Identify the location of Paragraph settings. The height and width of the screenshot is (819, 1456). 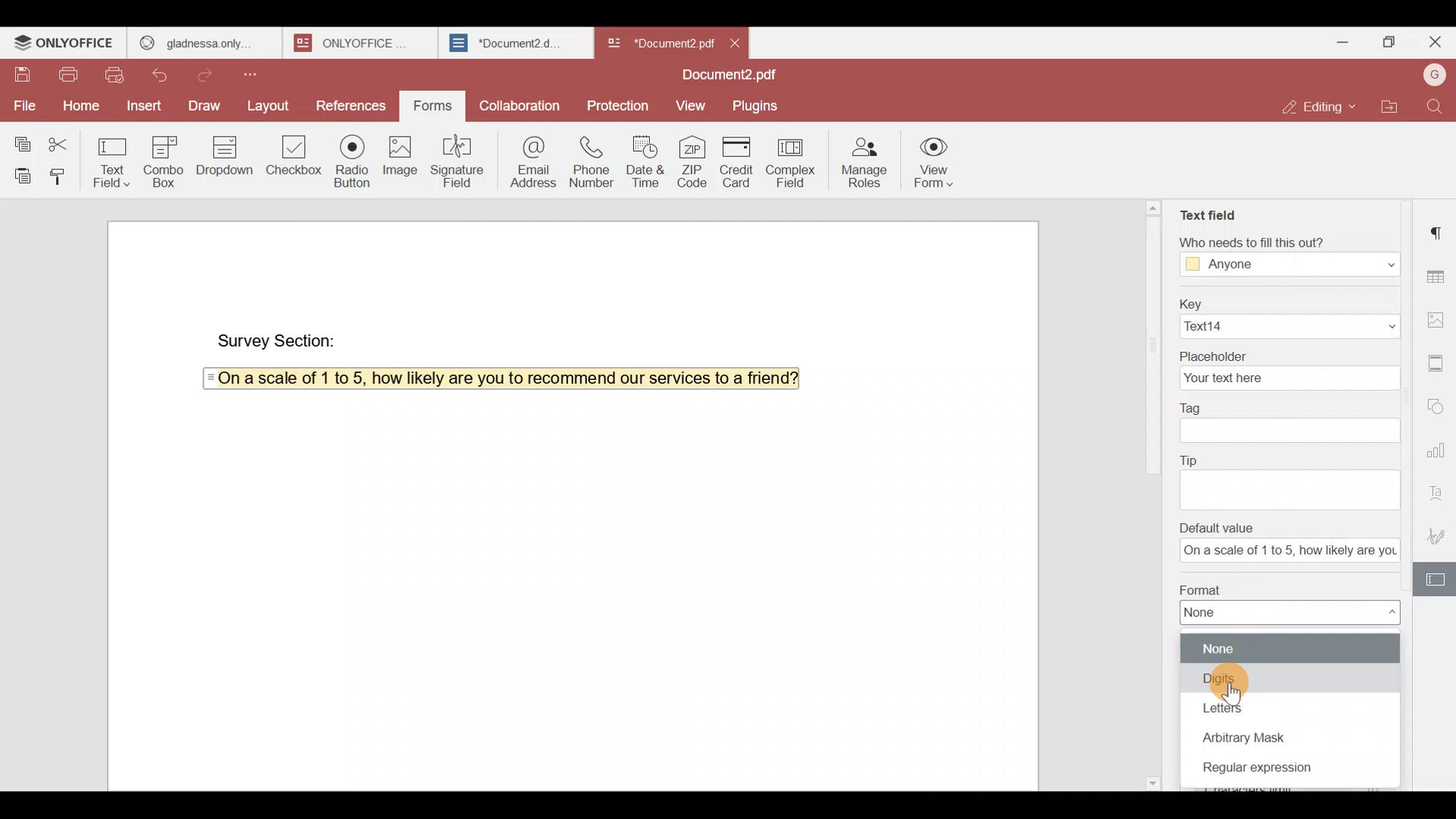
(1439, 227).